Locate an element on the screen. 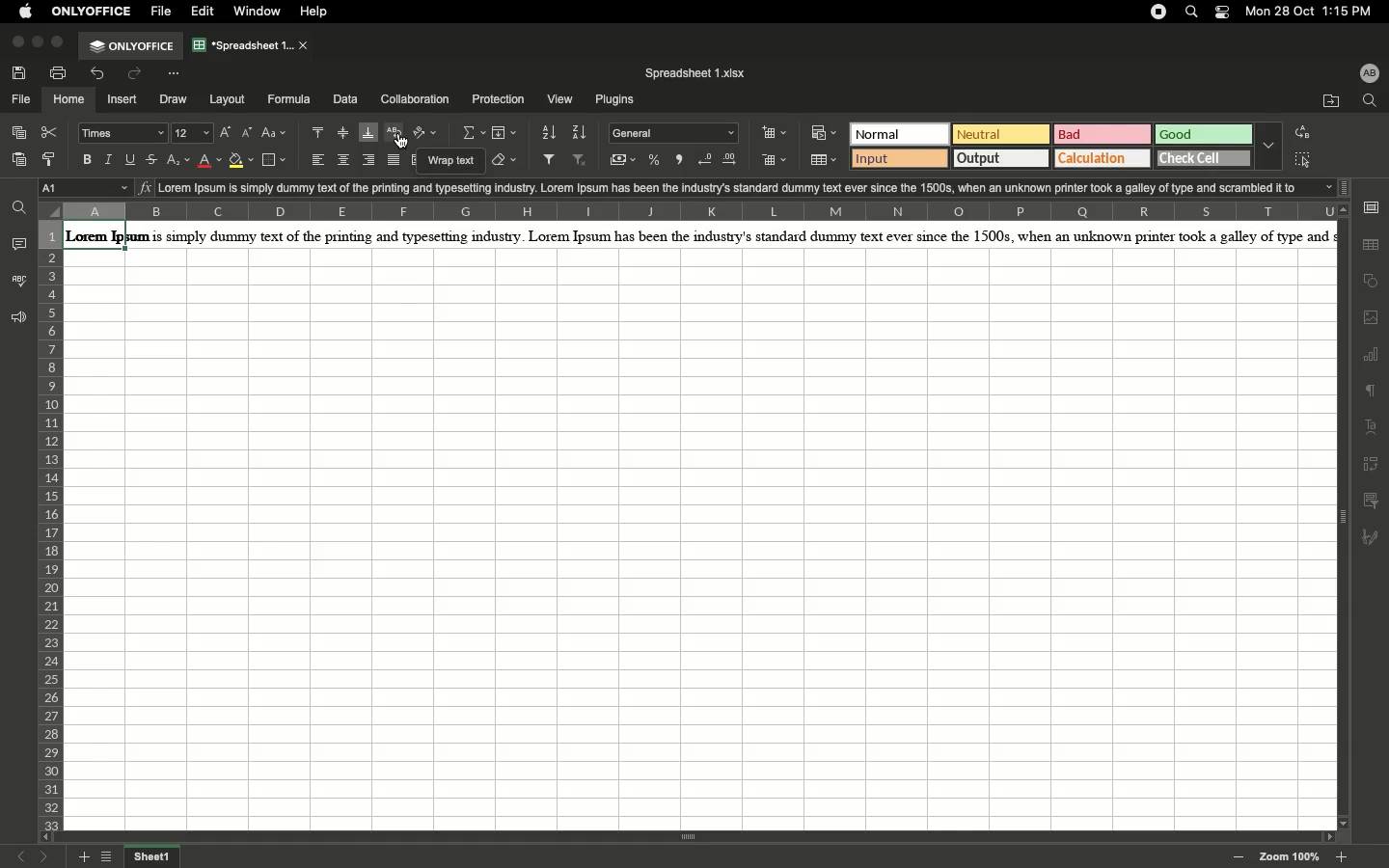 This screenshot has width=1389, height=868. Open file location is located at coordinates (1329, 101).